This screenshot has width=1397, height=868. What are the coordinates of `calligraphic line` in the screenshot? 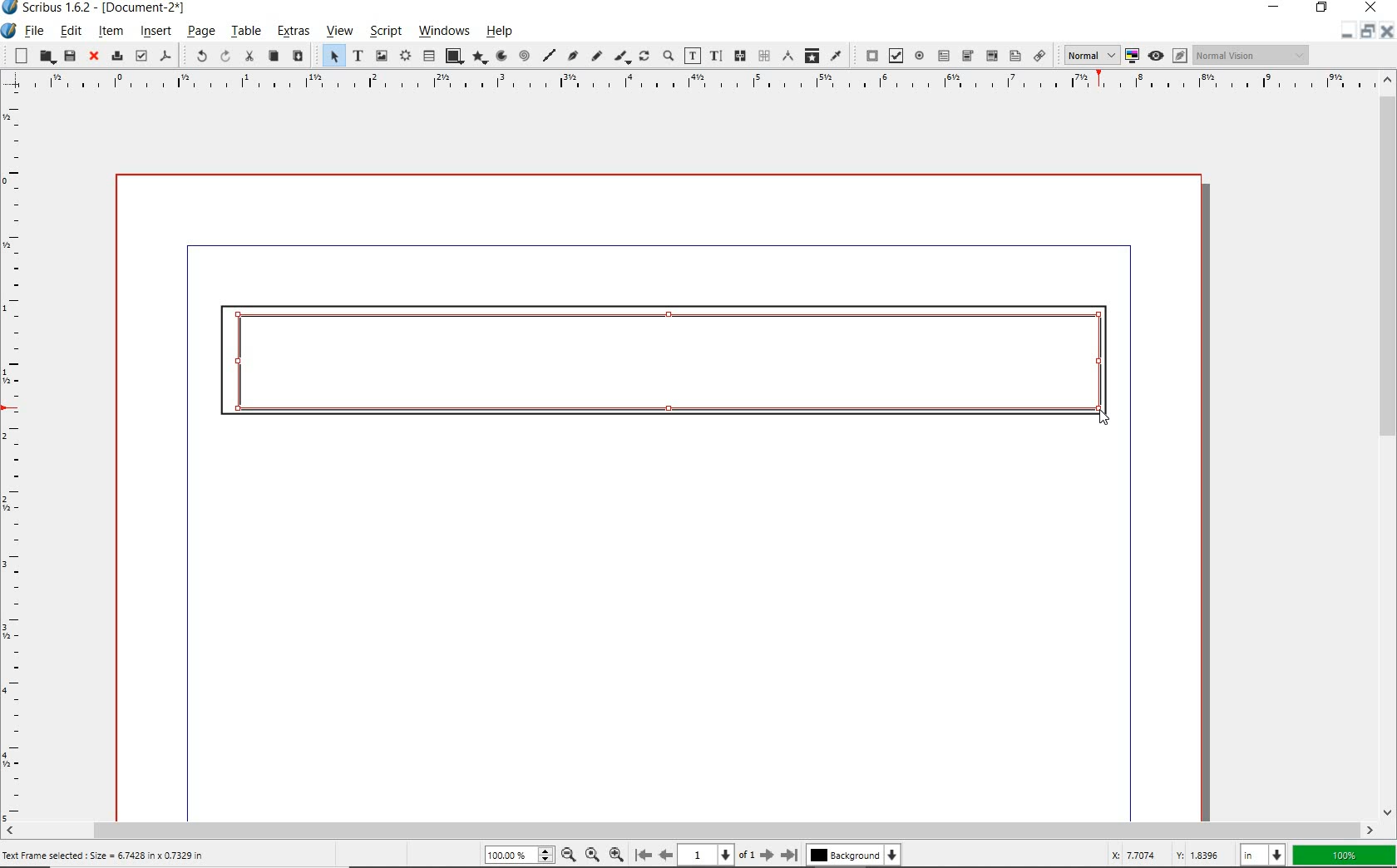 It's located at (623, 57).